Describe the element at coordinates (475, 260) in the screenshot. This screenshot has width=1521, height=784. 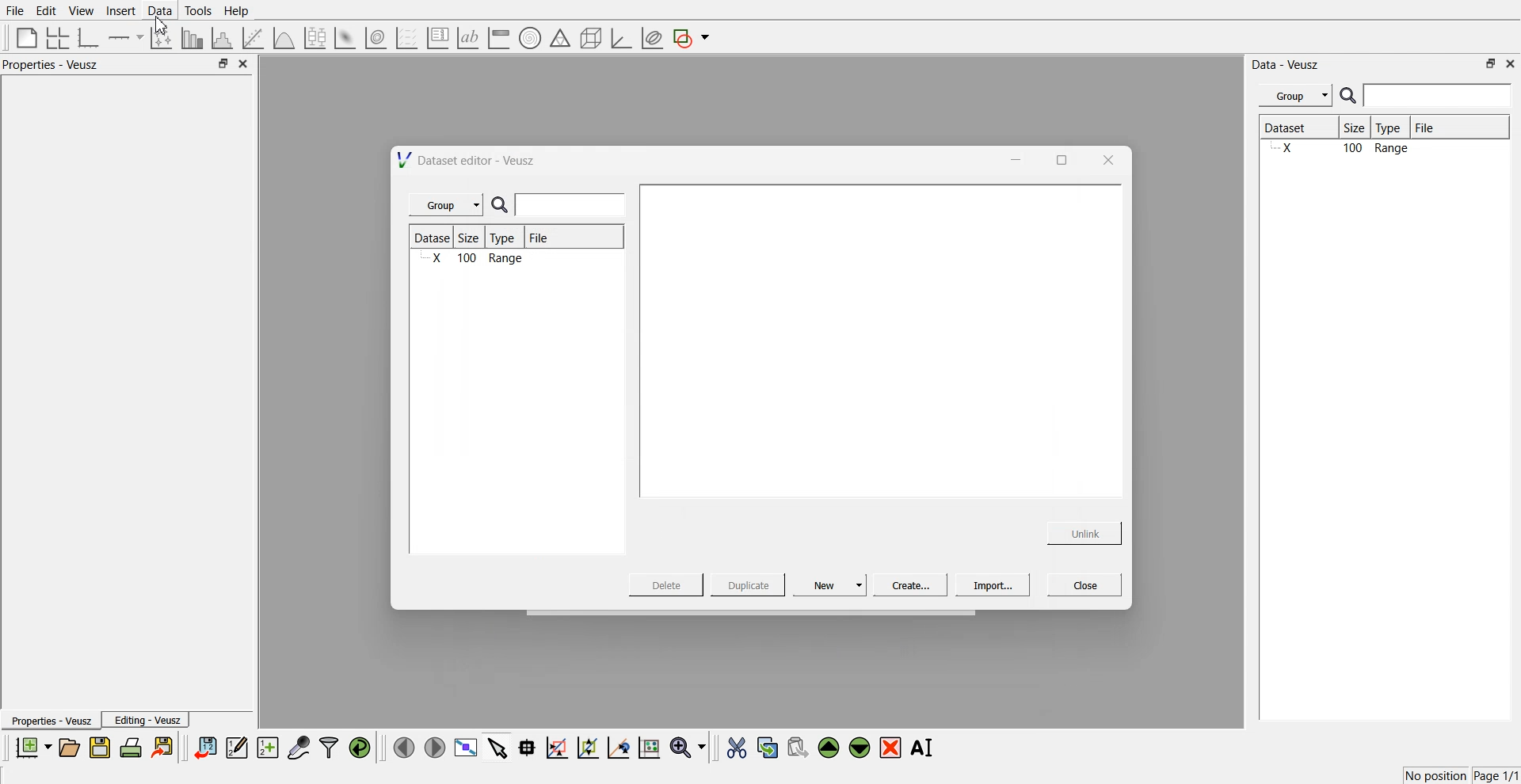
I see `X 100 Range` at that location.